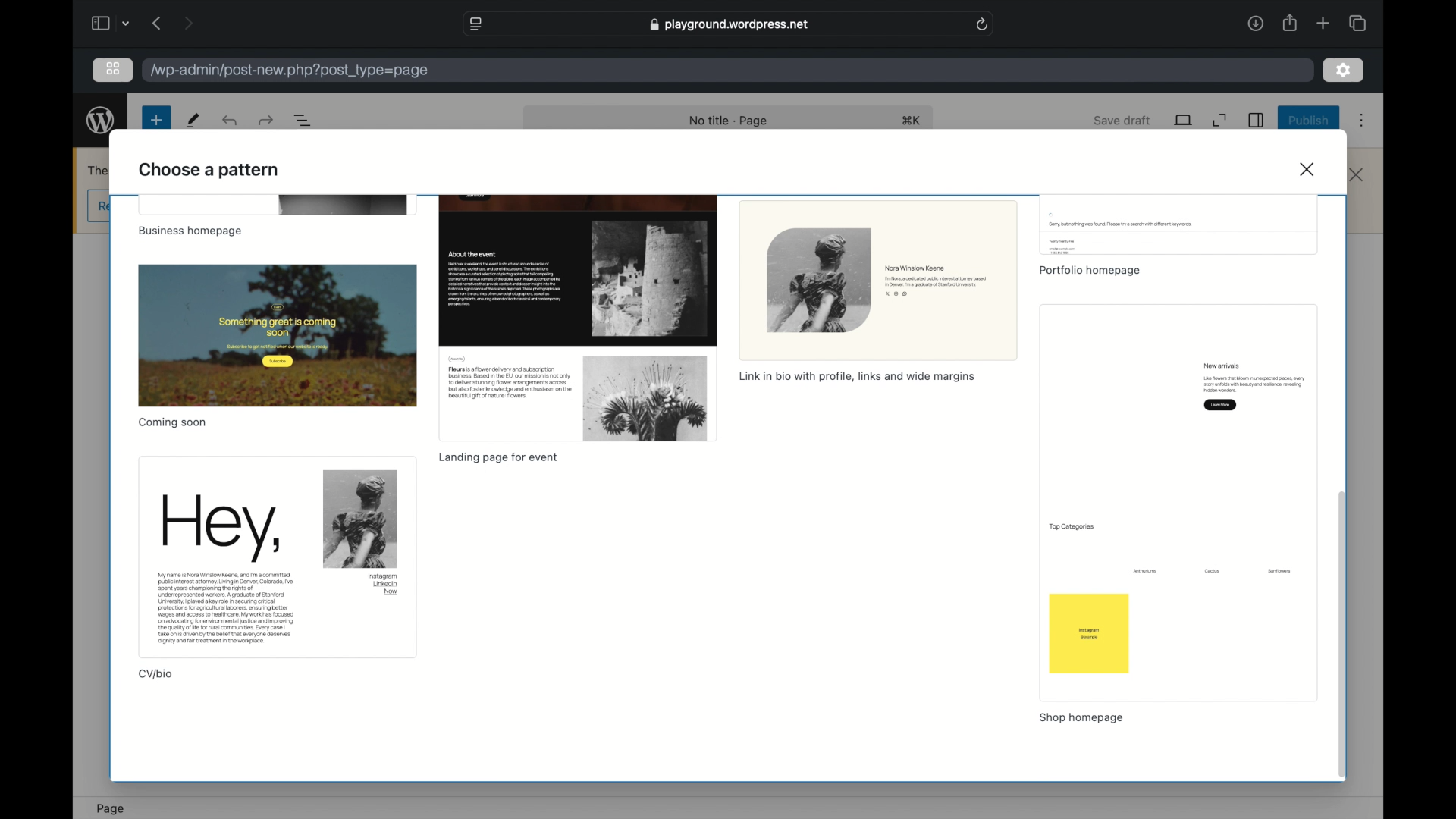  What do you see at coordinates (475, 24) in the screenshot?
I see `website settings` at bounding box center [475, 24].